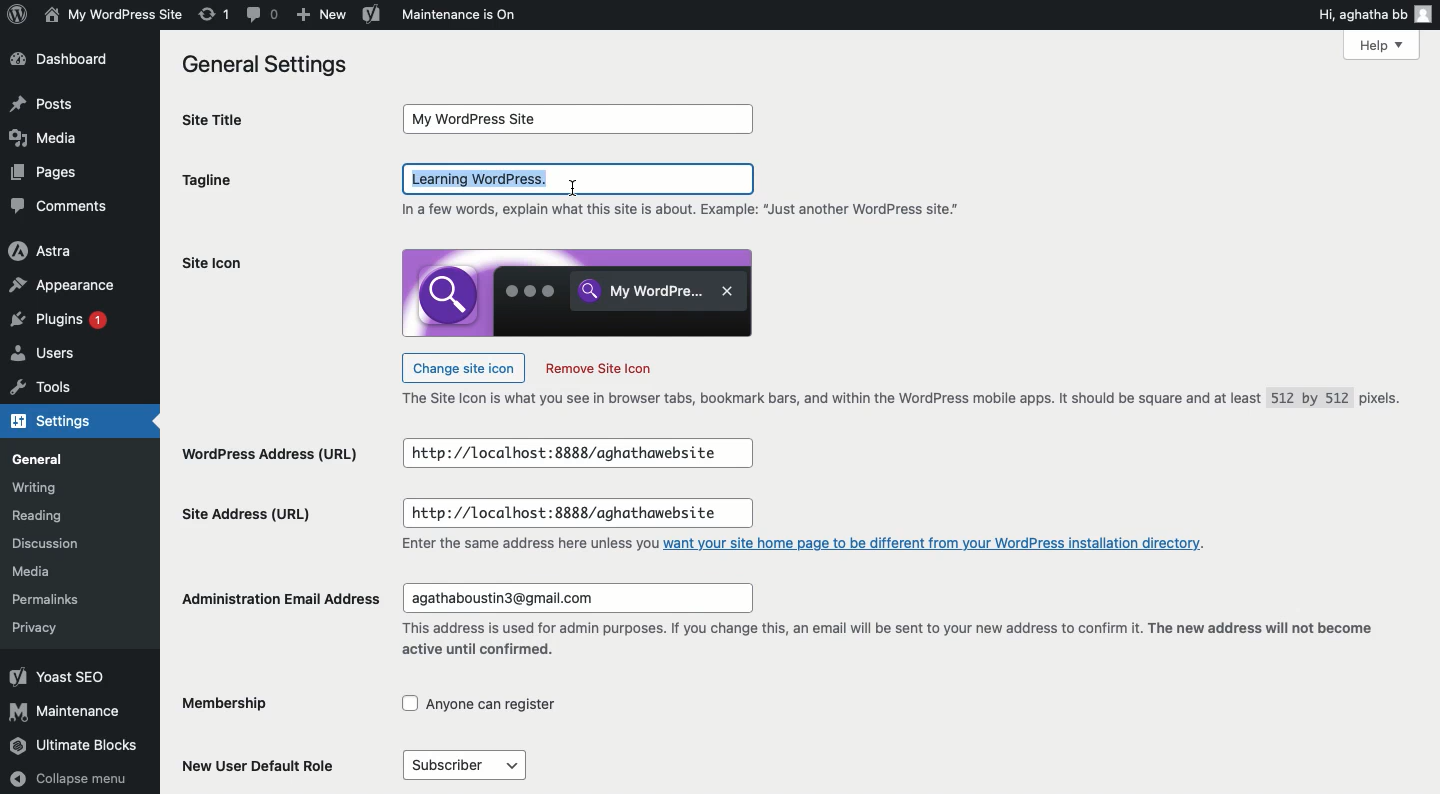  Describe the element at coordinates (215, 14) in the screenshot. I see `Revision` at that location.